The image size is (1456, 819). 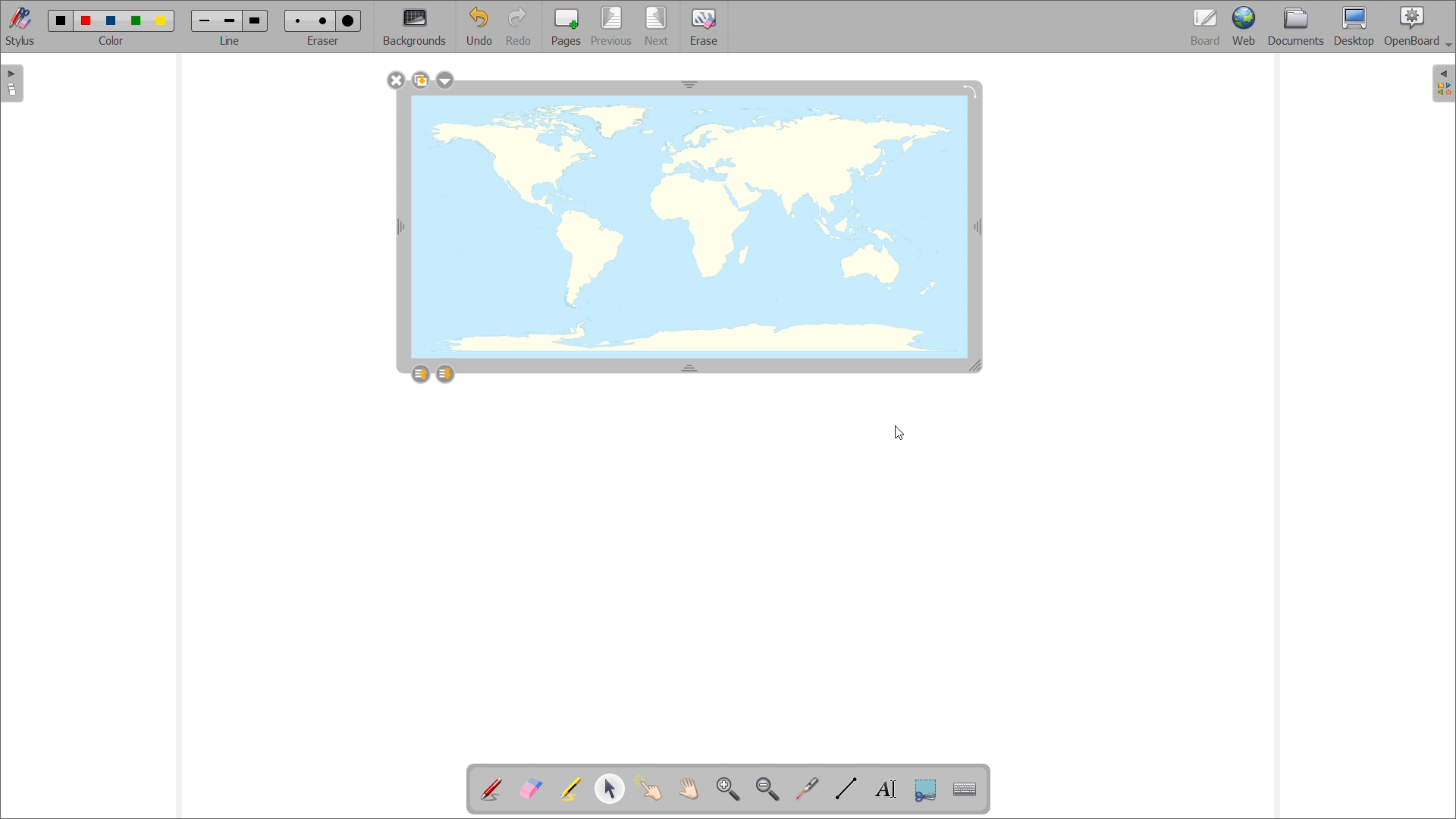 I want to click on line, so click(x=230, y=42).